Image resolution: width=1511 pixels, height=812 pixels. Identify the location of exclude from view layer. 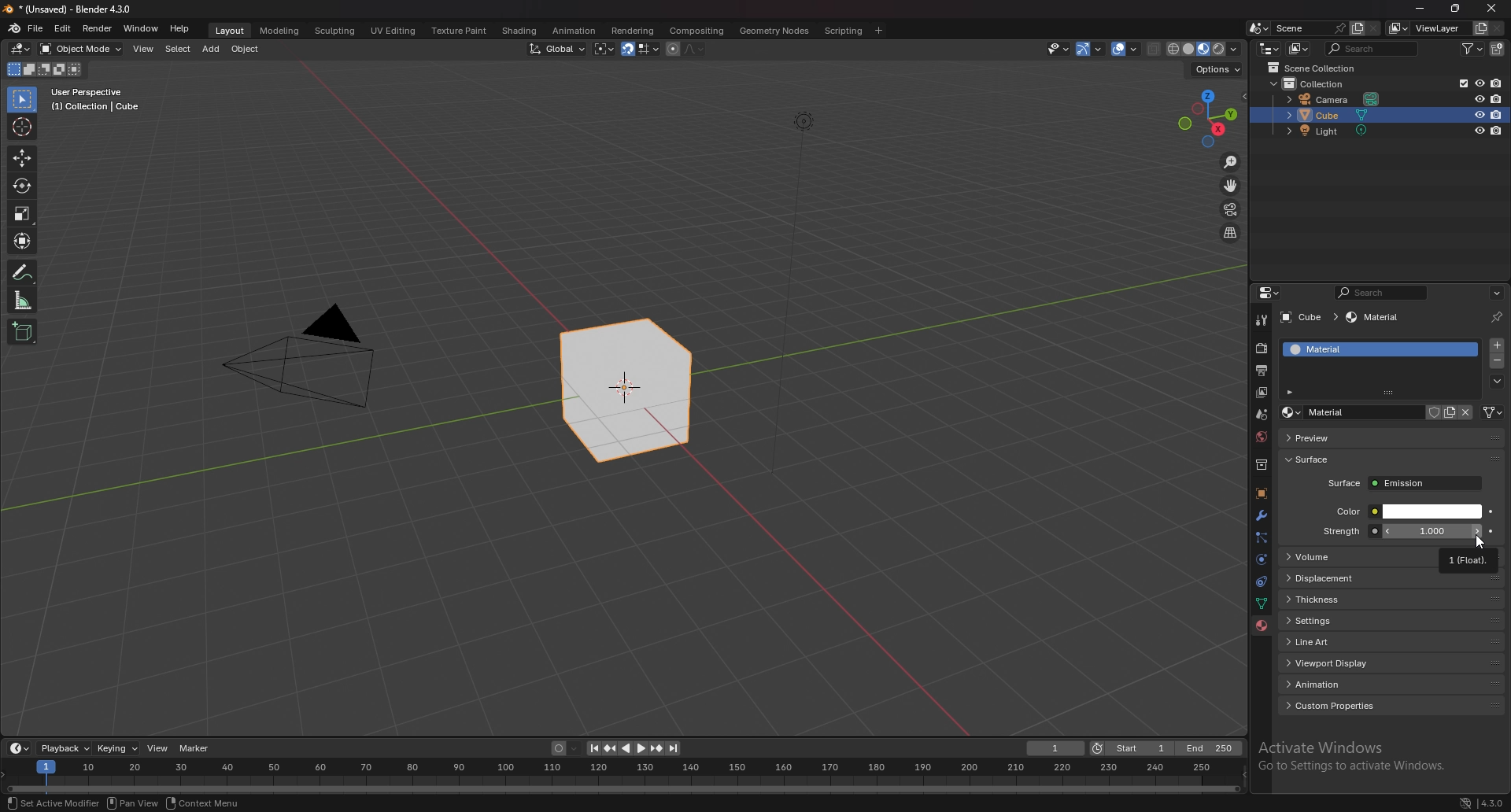
(1459, 83).